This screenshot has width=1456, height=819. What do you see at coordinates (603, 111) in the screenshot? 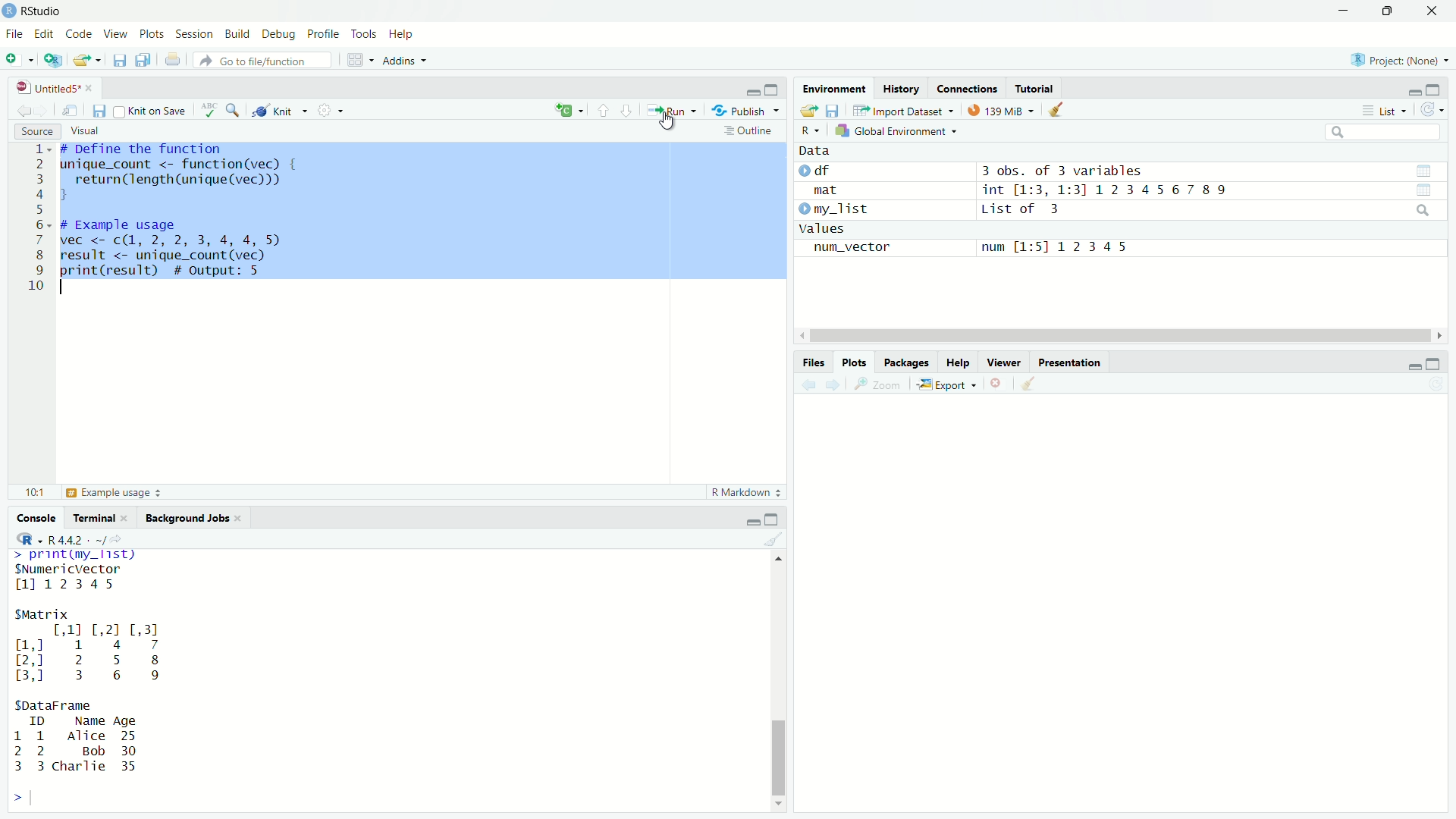
I see `previous section` at bounding box center [603, 111].